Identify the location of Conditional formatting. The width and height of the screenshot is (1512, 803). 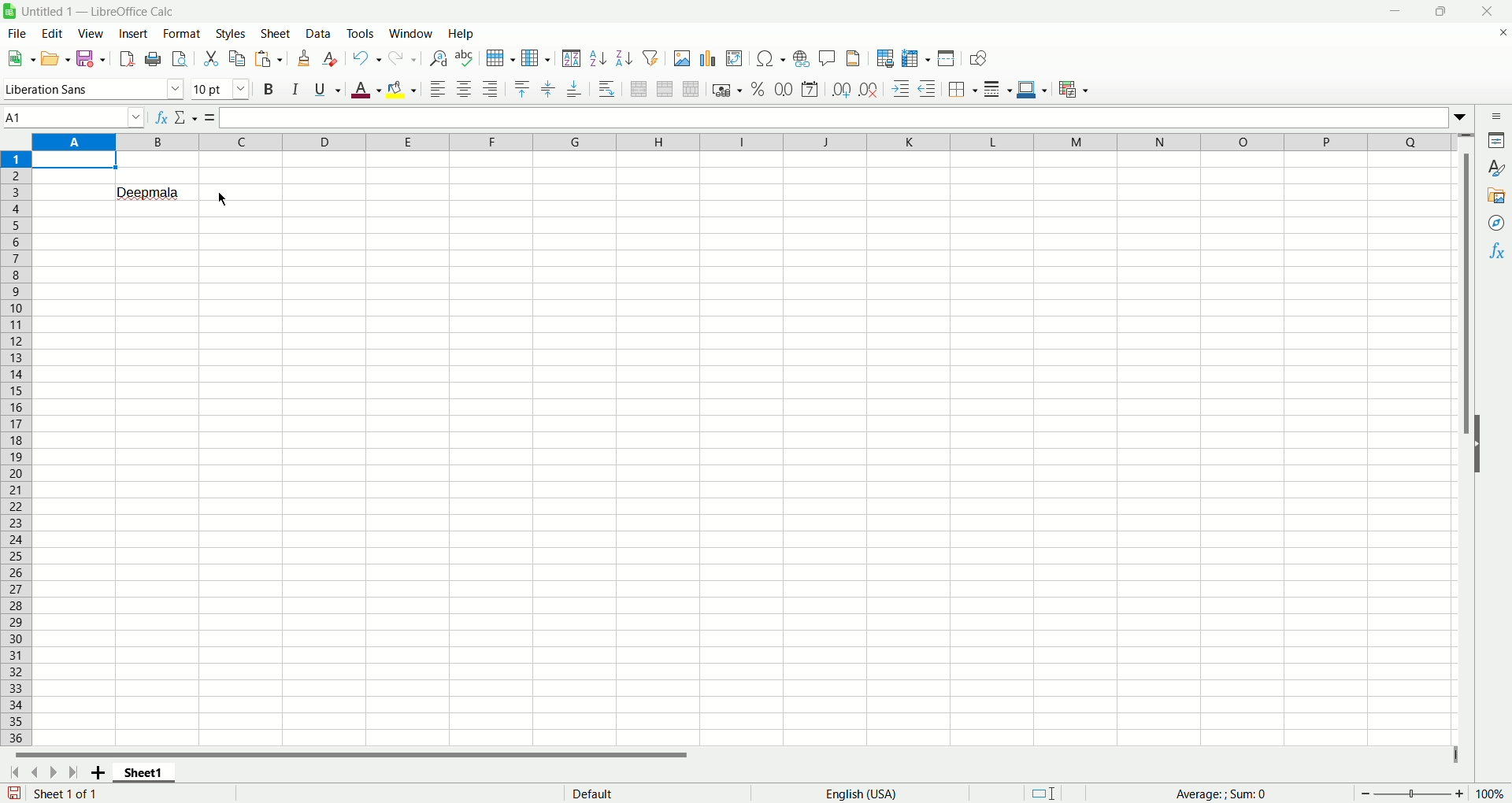
(1074, 90).